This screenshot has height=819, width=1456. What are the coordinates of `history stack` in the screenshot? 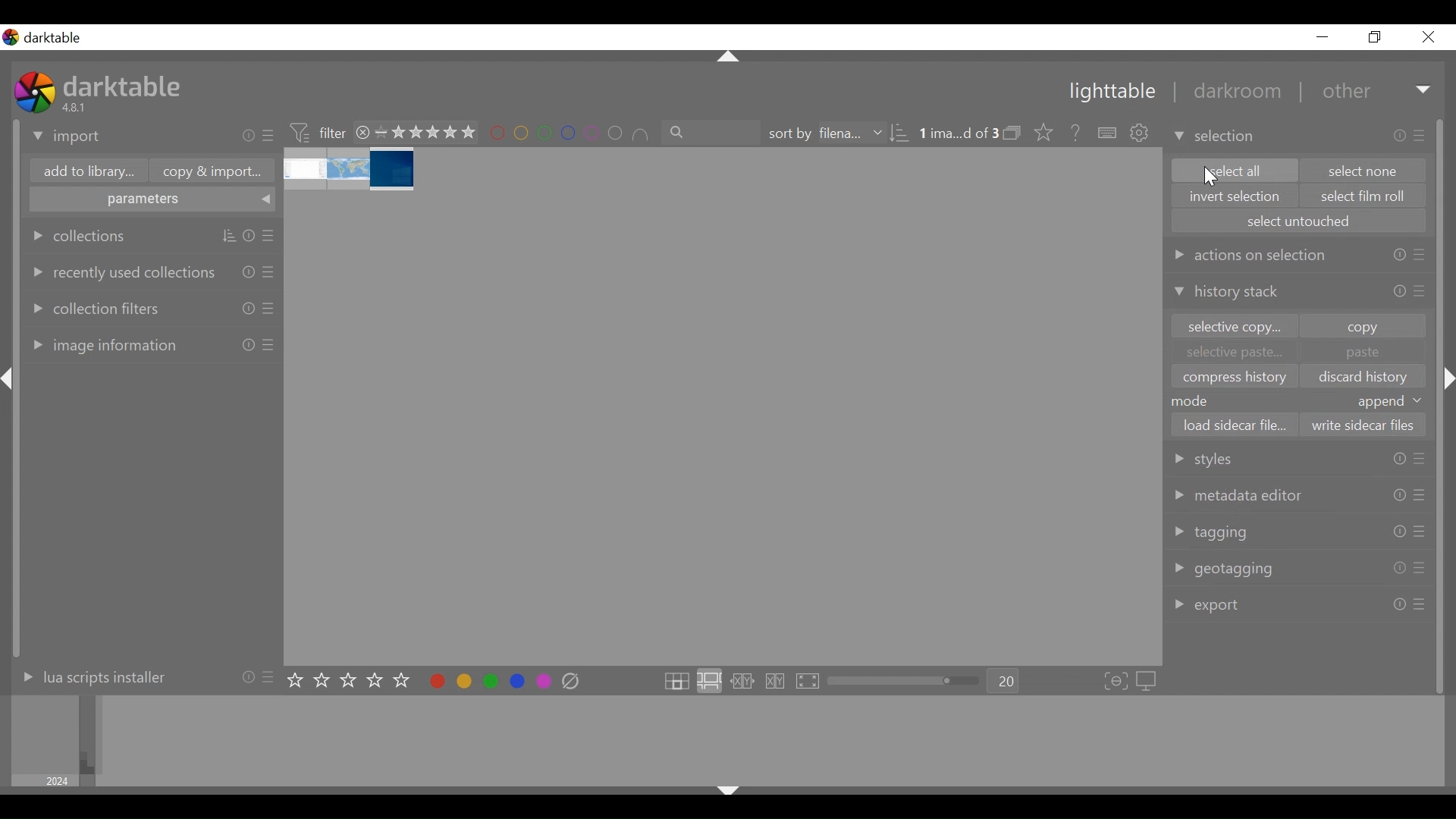 It's located at (1230, 293).